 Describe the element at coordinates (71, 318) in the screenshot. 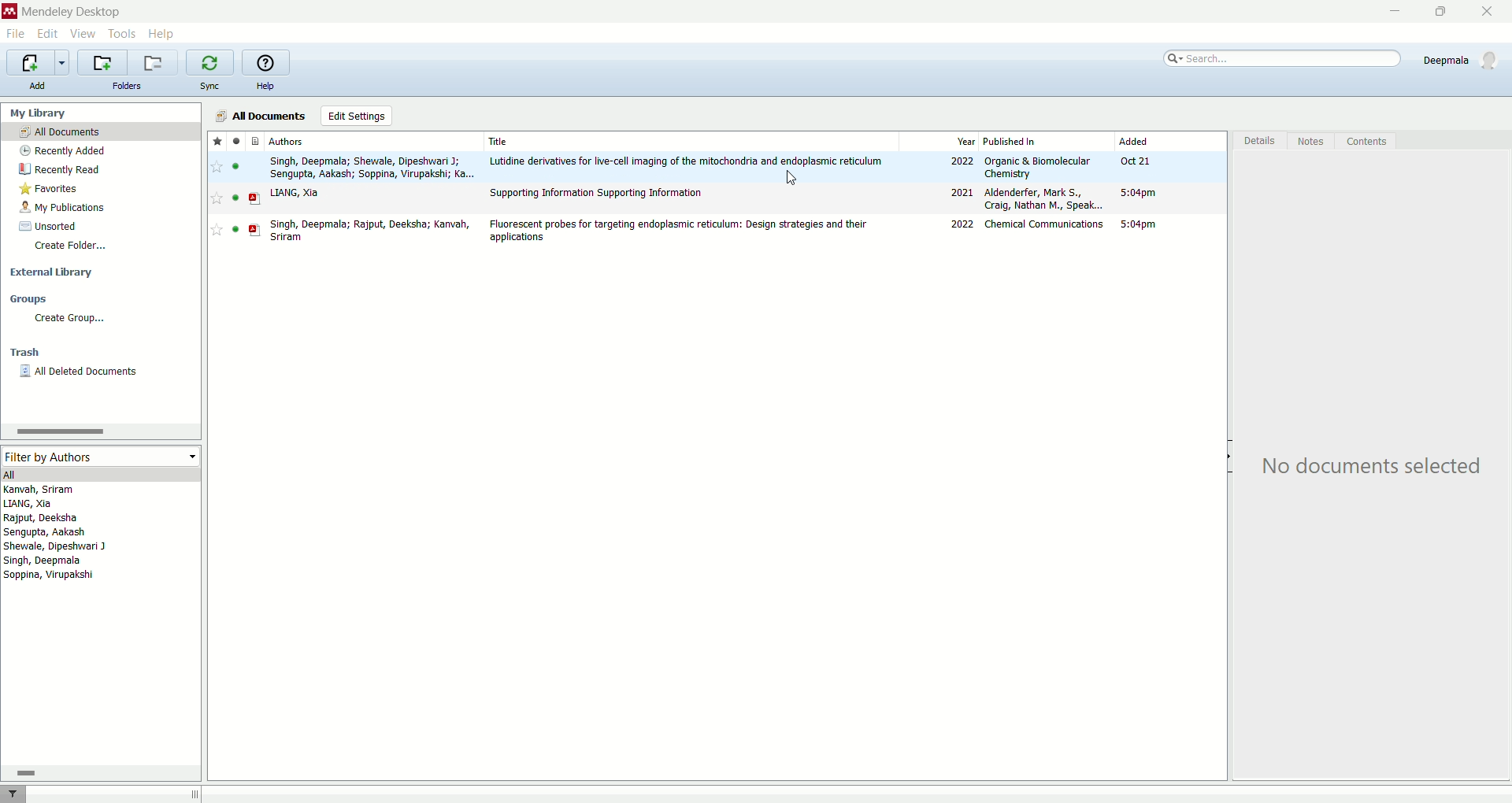

I see `create group` at that location.